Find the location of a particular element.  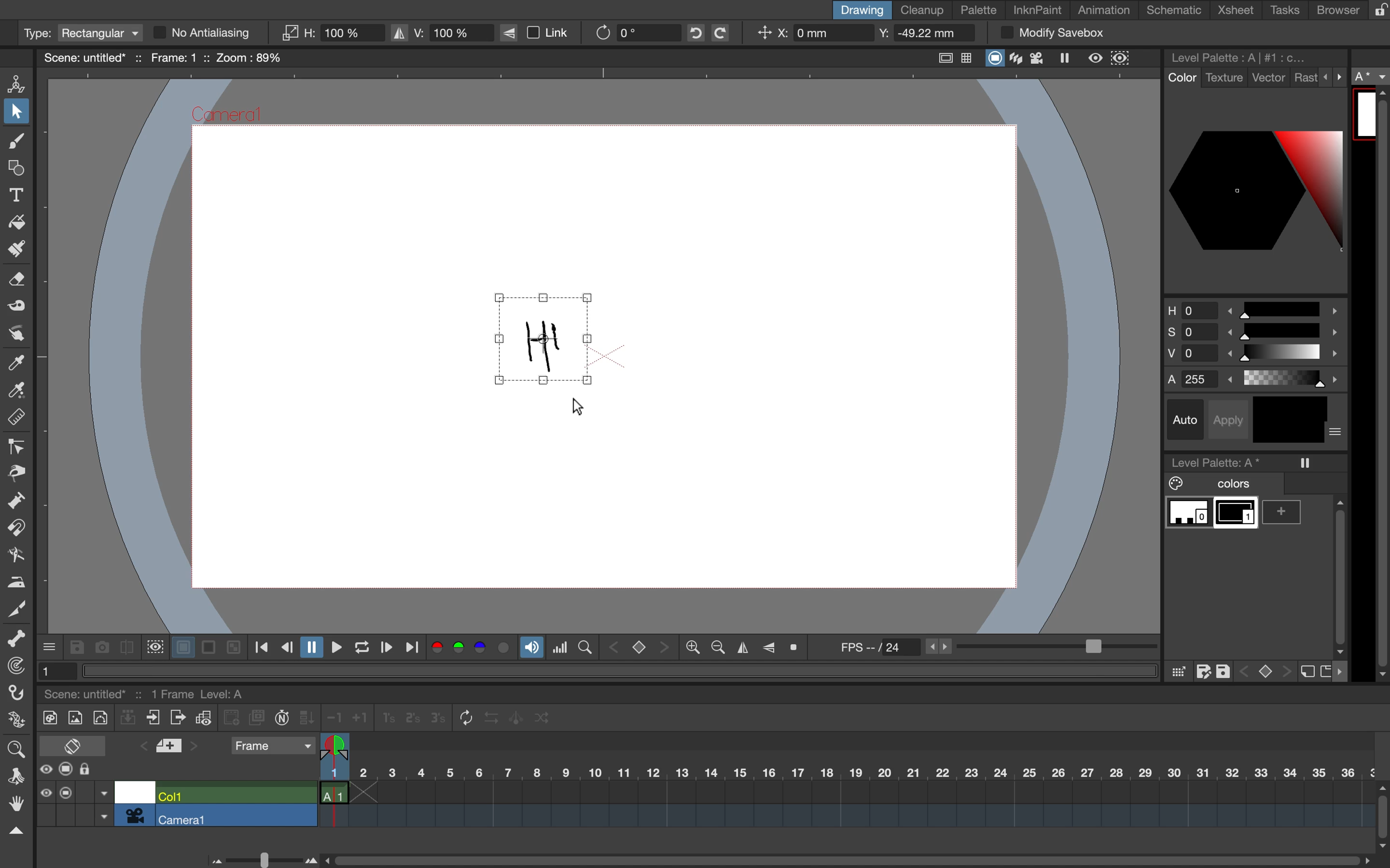

lock toggle all is located at coordinates (96, 770).